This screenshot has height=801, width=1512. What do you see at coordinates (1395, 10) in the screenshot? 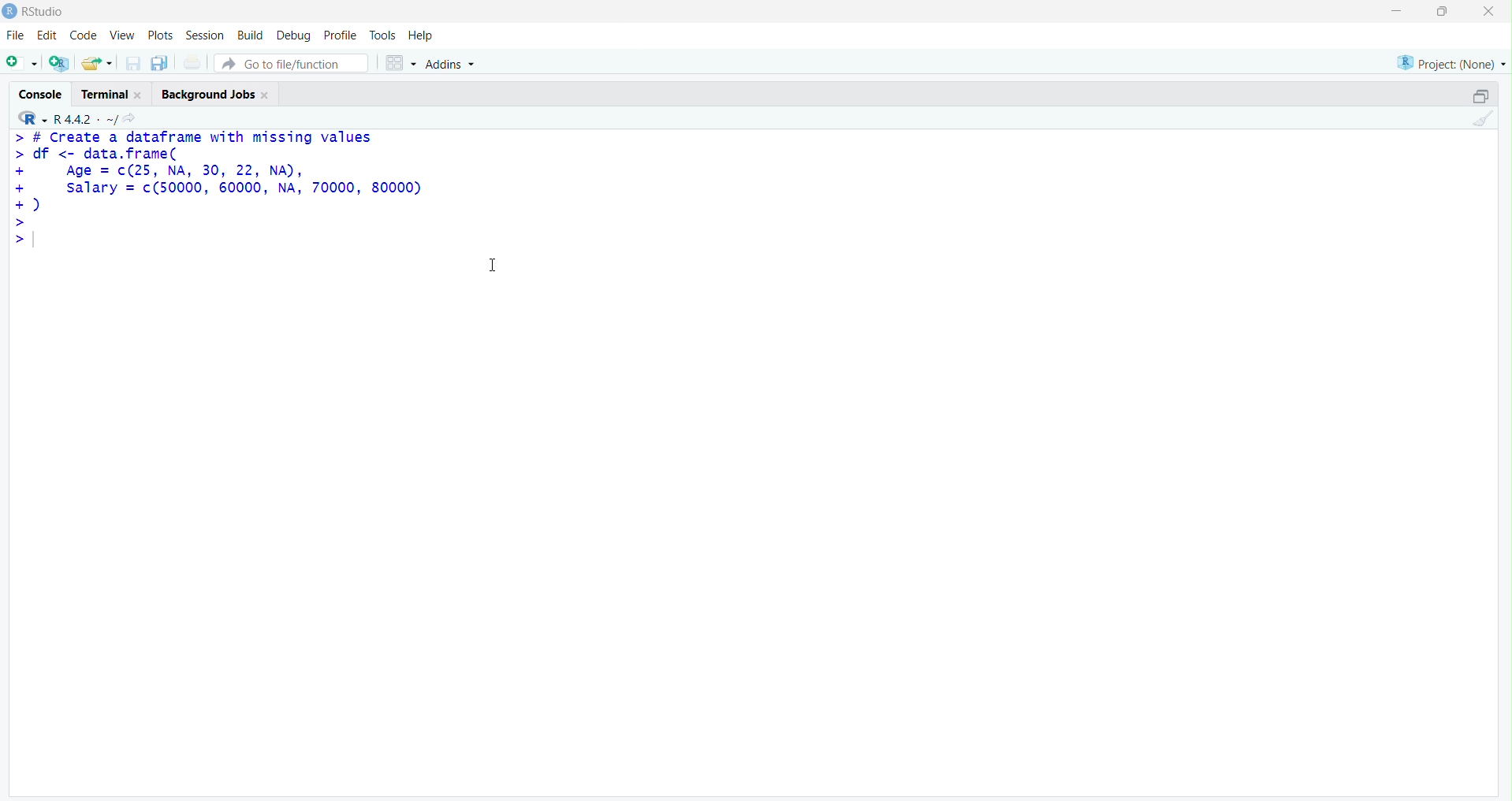
I see `Minimize` at bounding box center [1395, 10].